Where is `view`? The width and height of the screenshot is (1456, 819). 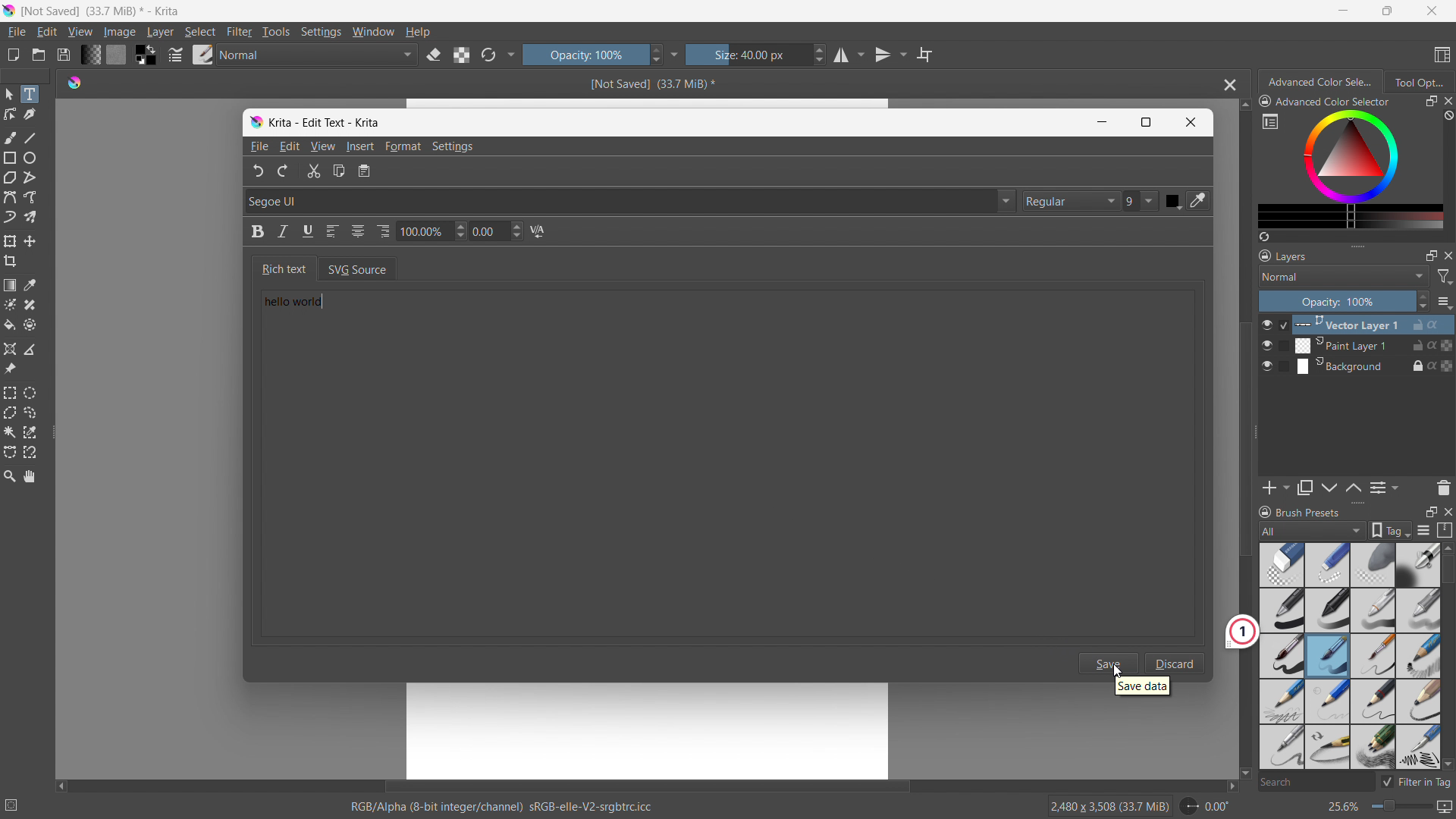 view is located at coordinates (80, 32).